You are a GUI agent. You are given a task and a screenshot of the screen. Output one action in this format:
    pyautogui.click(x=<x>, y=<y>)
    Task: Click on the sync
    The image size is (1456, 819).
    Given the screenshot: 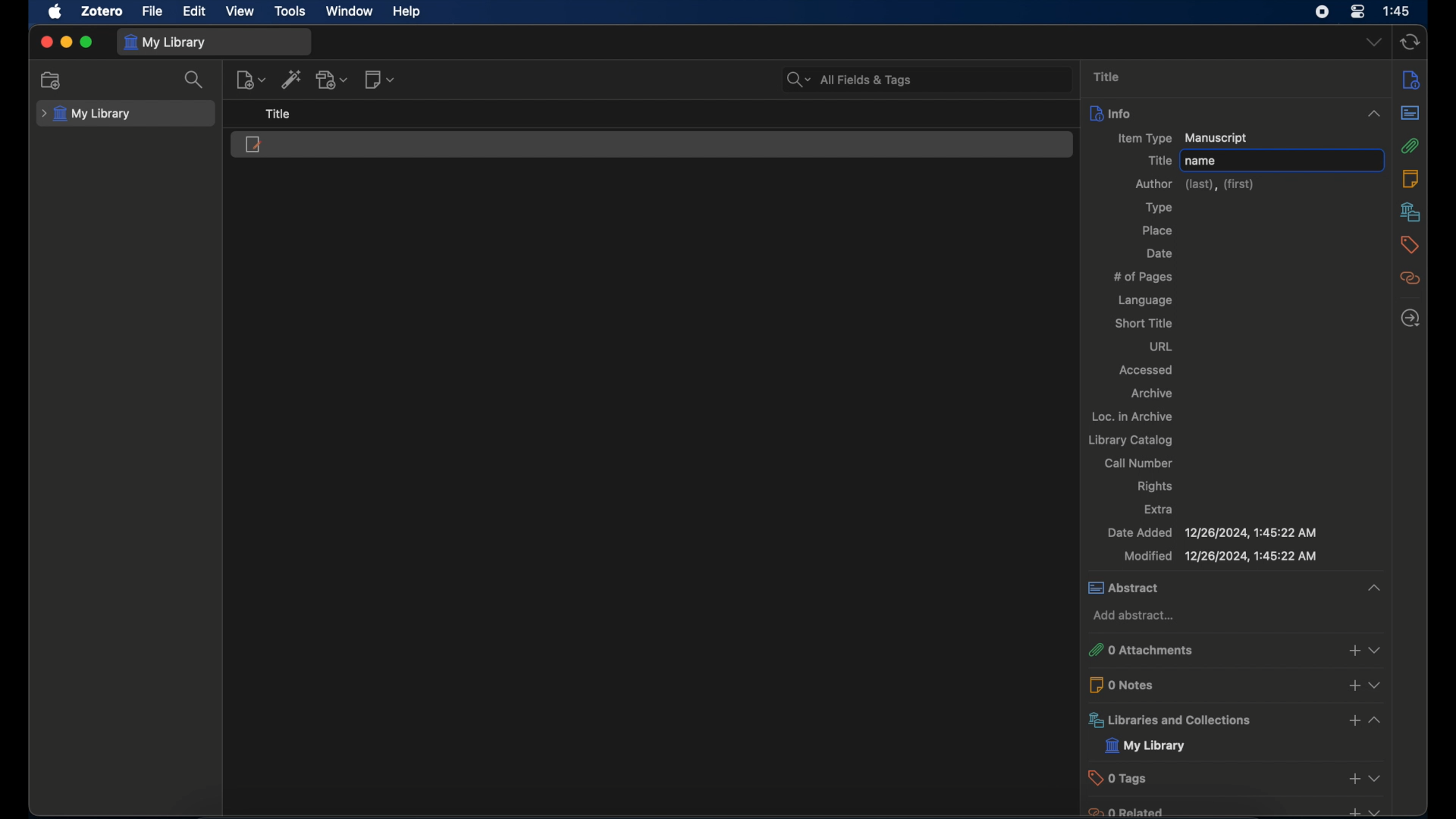 What is the action you would take?
    pyautogui.click(x=1409, y=43)
    